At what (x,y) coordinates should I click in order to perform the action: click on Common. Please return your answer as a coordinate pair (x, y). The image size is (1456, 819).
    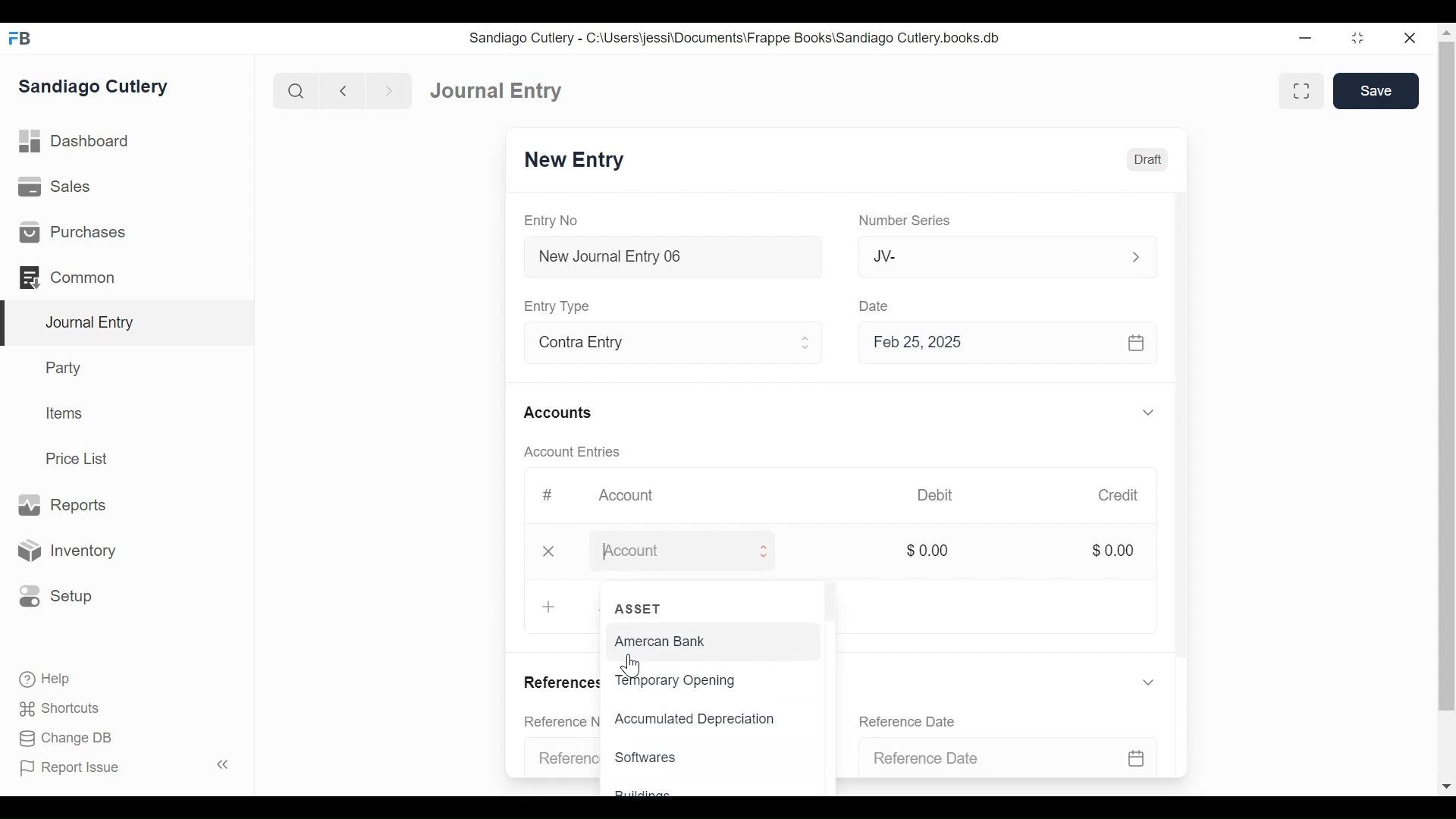
    Looking at the image, I should click on (75, 278).